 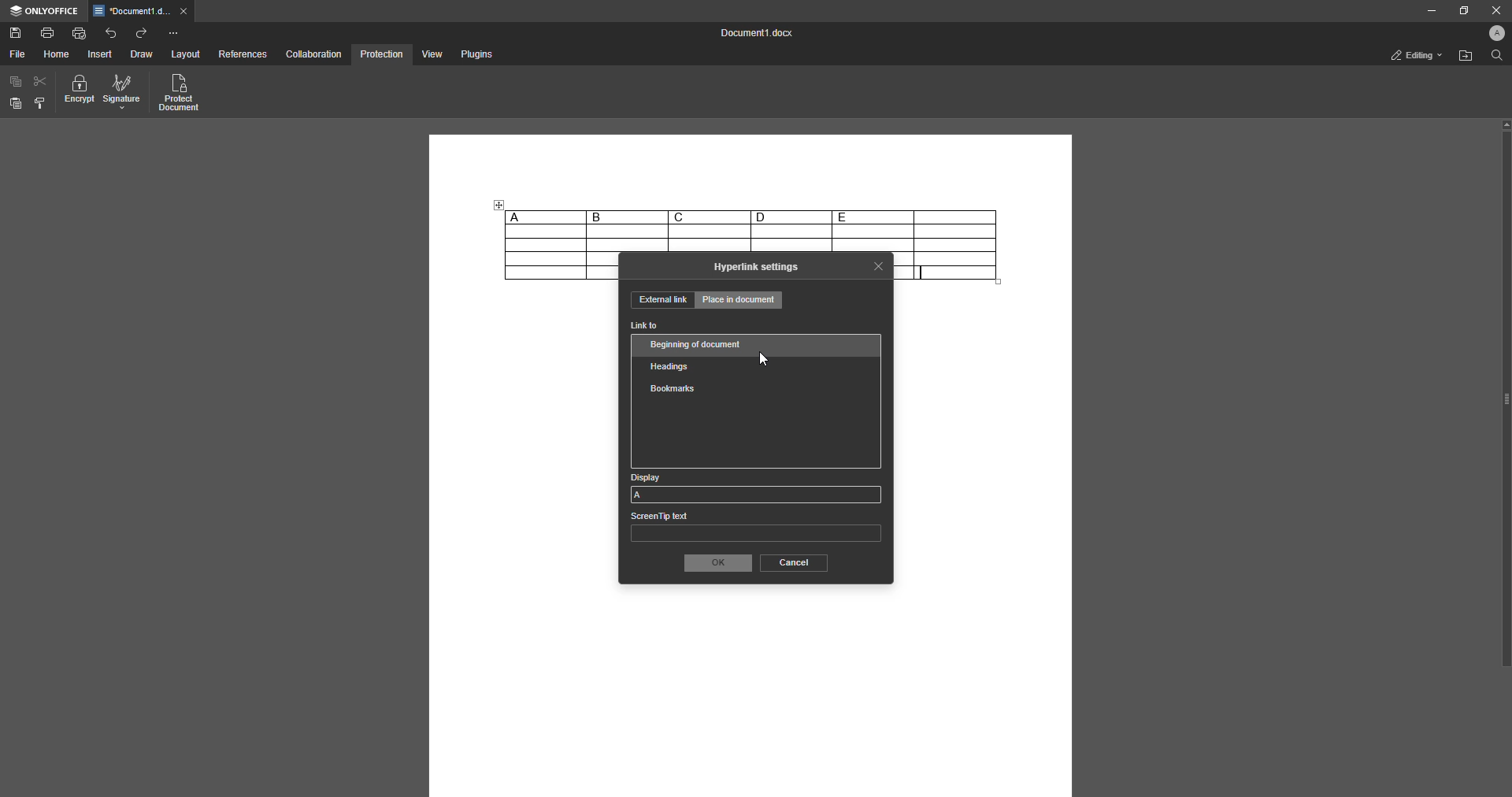 What do you see at coordinates (173, 33) in the screenshot?
I see `Options` at bounding box center [173, 33].